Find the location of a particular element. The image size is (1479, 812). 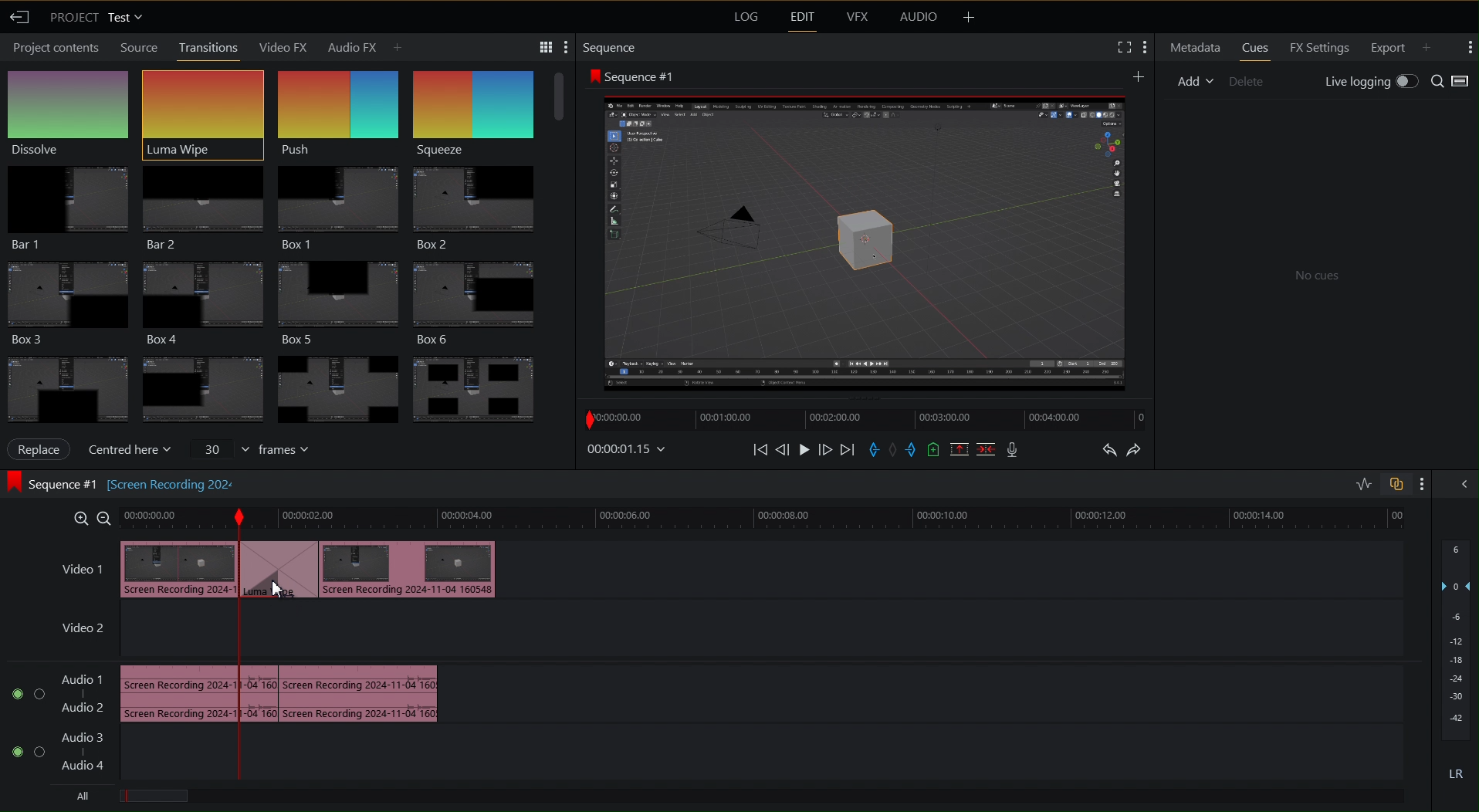

Undo is located at coordinates (1106, 449).